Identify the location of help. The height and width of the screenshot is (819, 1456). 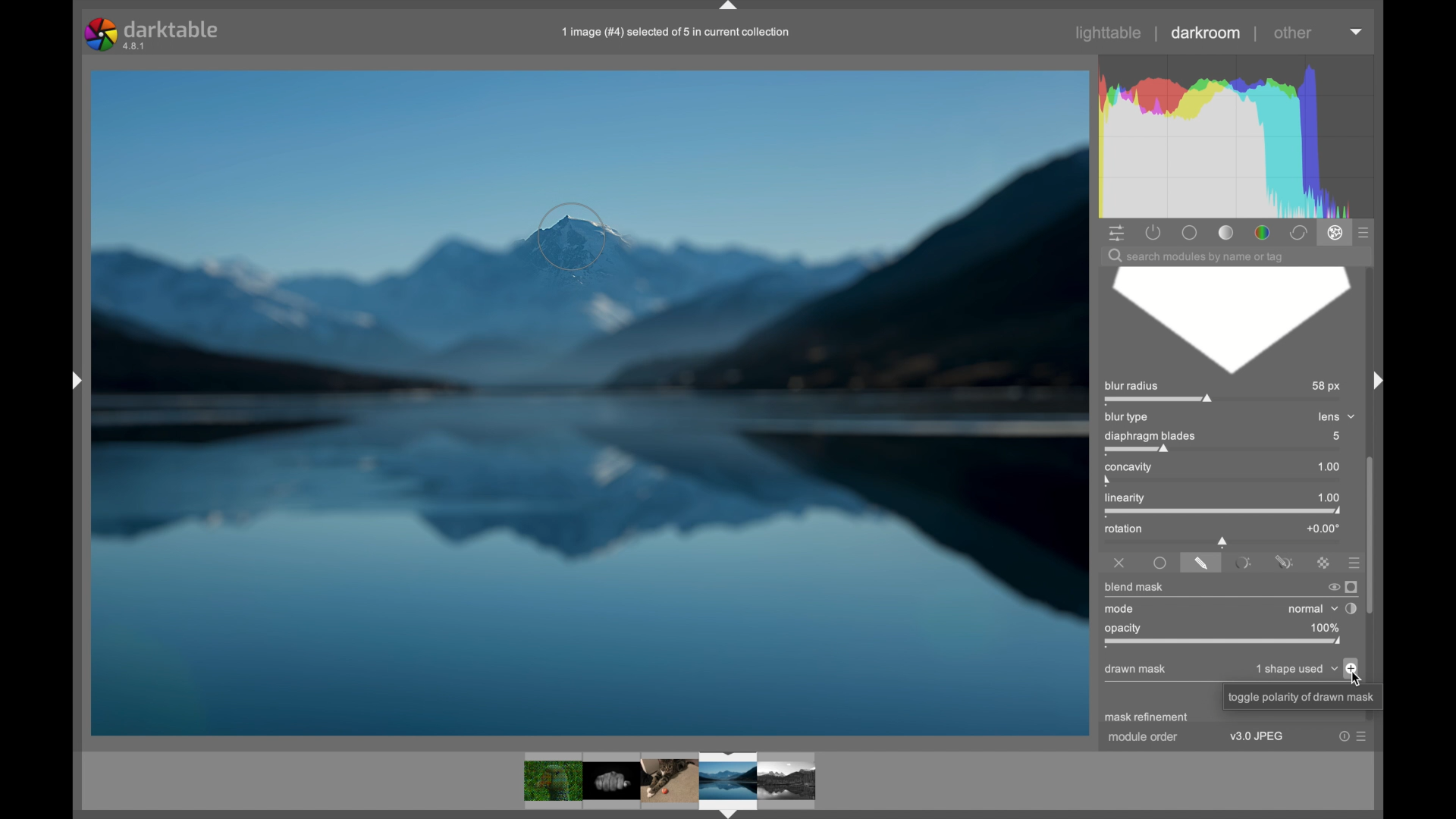
(1338, 736).